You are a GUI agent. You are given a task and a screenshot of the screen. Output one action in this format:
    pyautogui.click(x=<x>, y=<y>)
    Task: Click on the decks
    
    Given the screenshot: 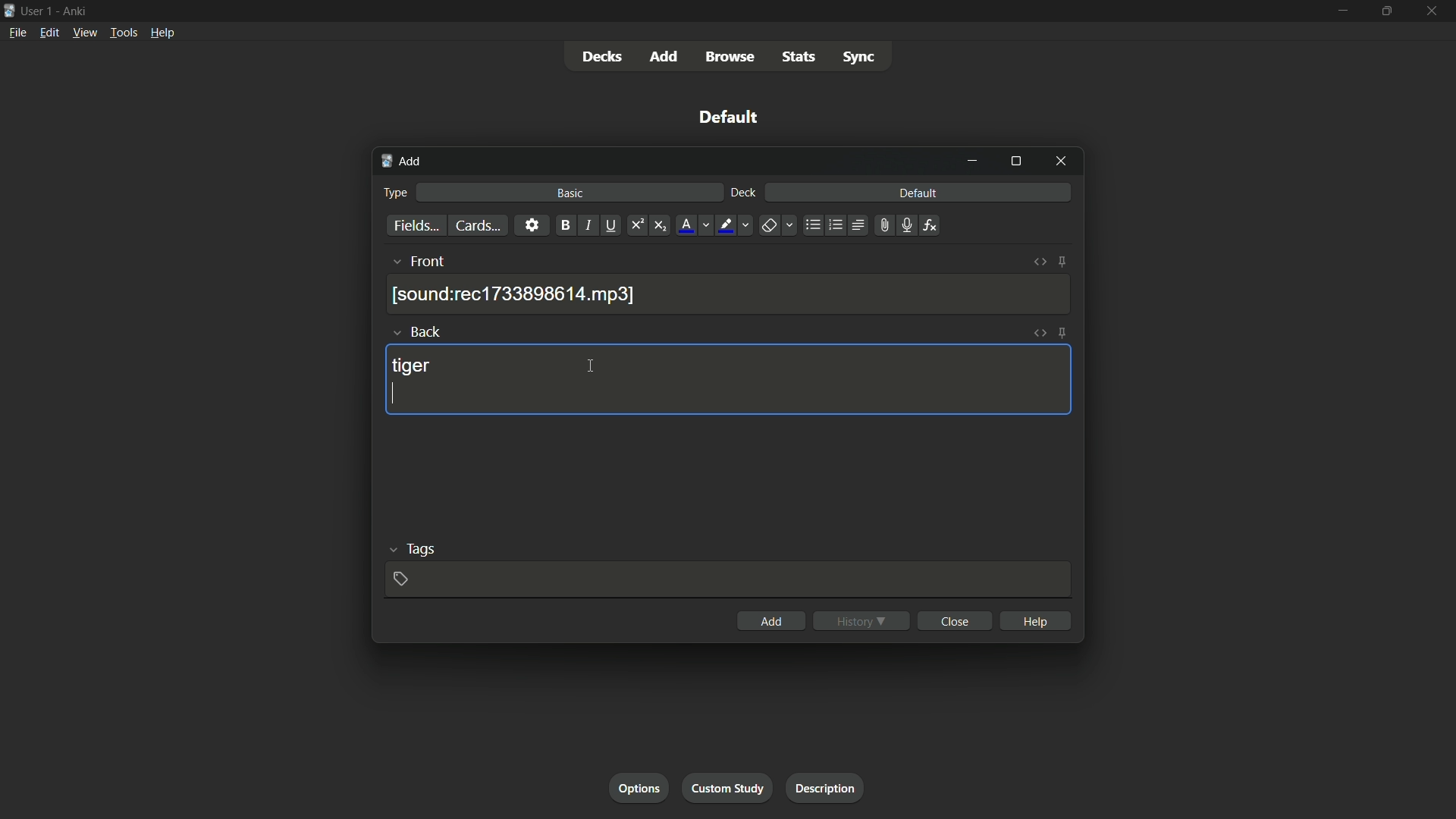 What is the action you would take?
    pyautogui.click(x=602, y=57)
    